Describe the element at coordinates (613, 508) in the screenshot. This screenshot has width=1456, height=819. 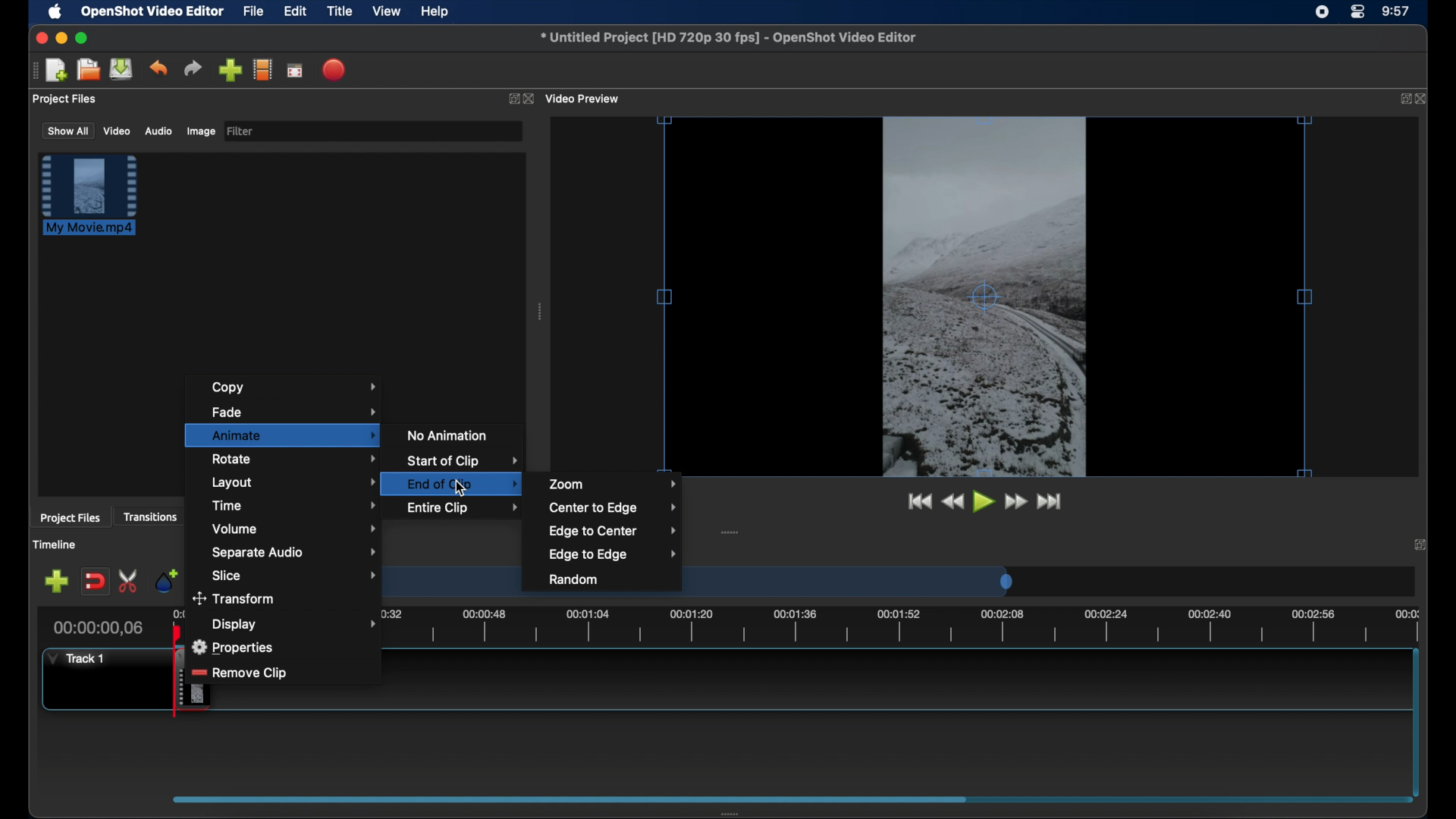
I see `center to edge menu` at that location.